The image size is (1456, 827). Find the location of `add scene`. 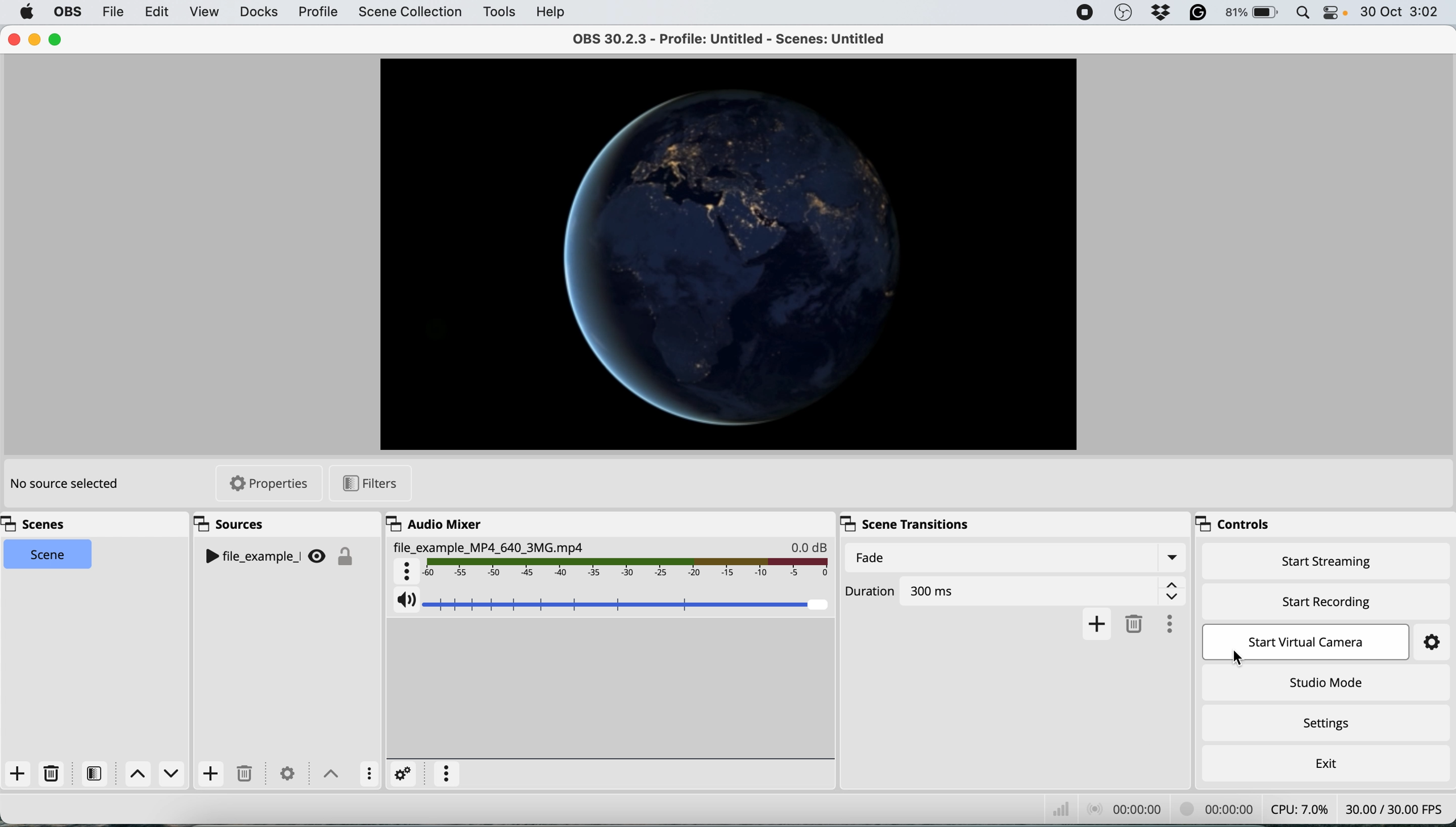

add scene is located at coordinates (16, 772).